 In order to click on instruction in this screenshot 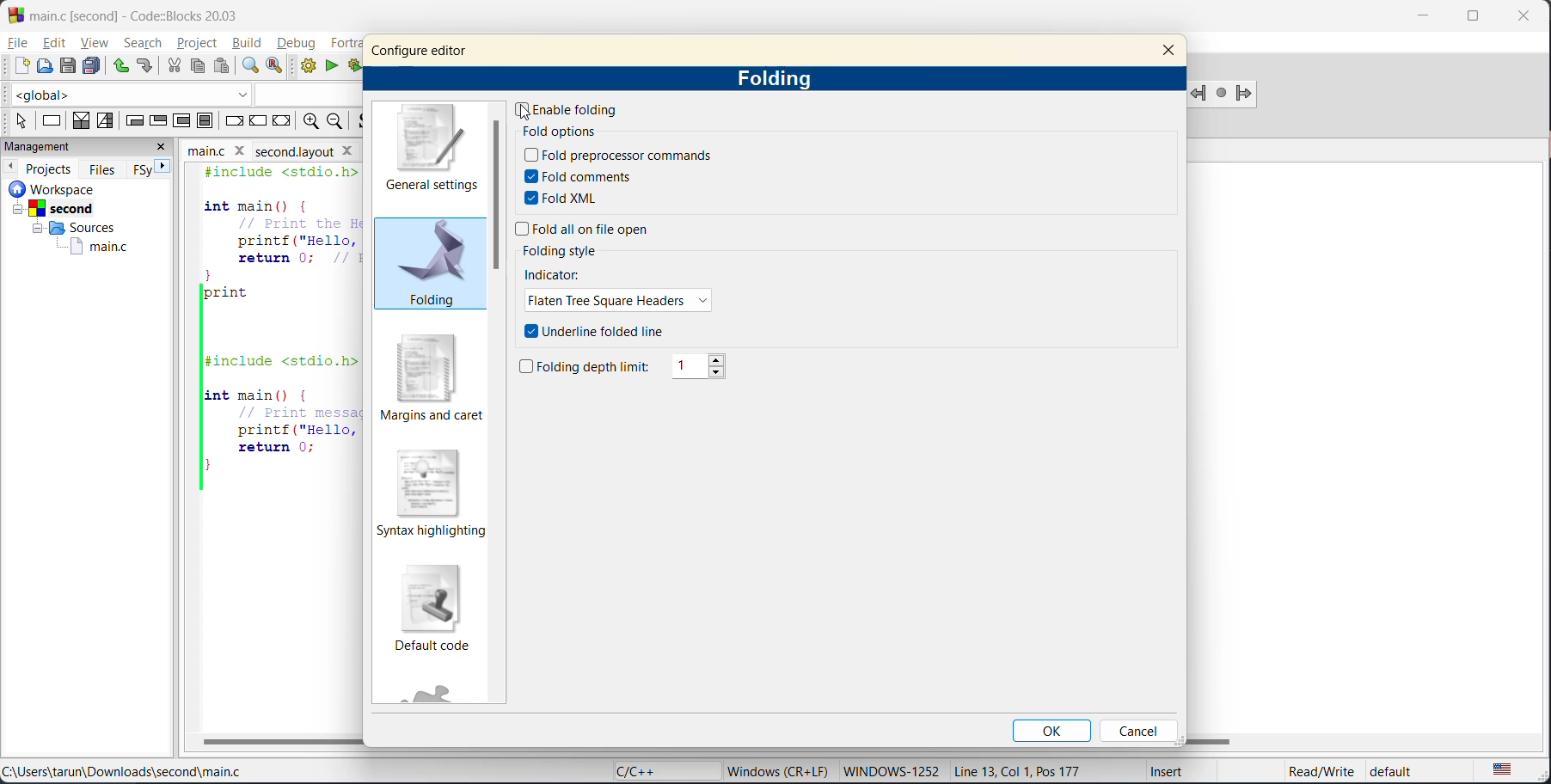, I will do `click(52, 123)`.